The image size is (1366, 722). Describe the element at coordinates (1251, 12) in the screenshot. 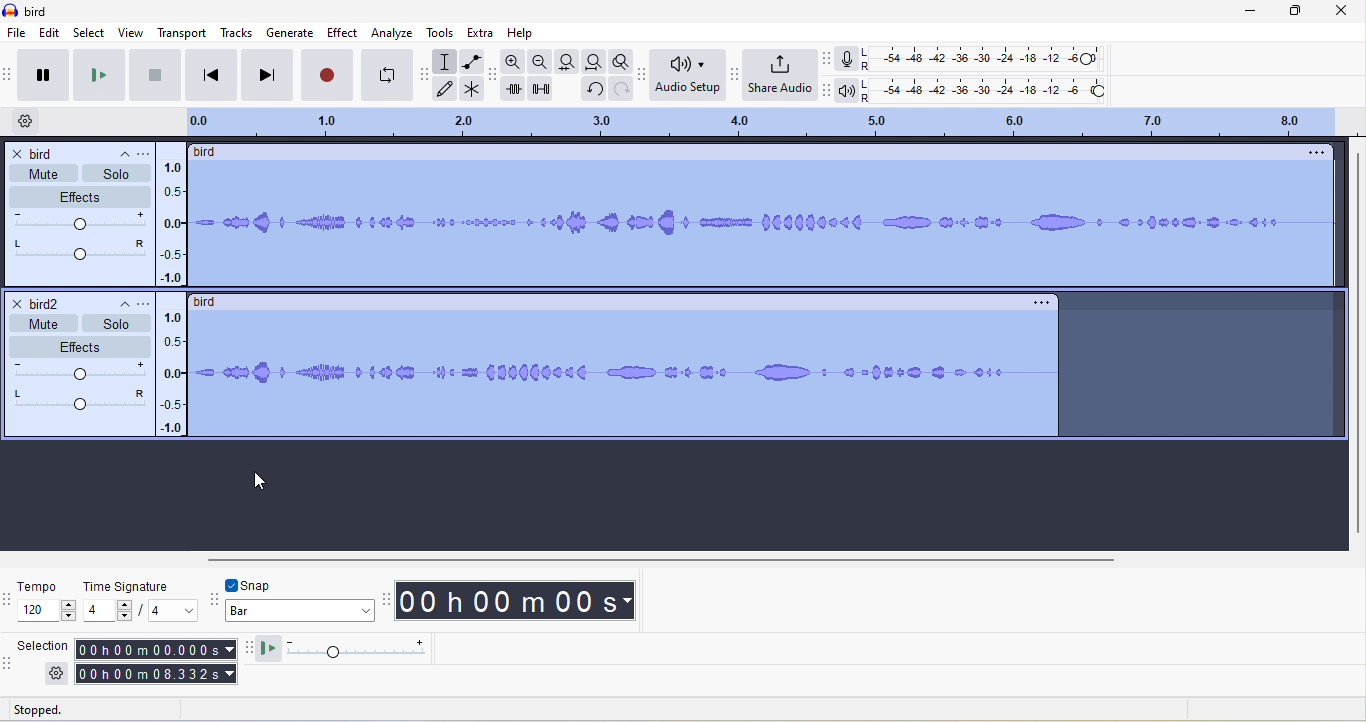

I see `minimize` at that location.